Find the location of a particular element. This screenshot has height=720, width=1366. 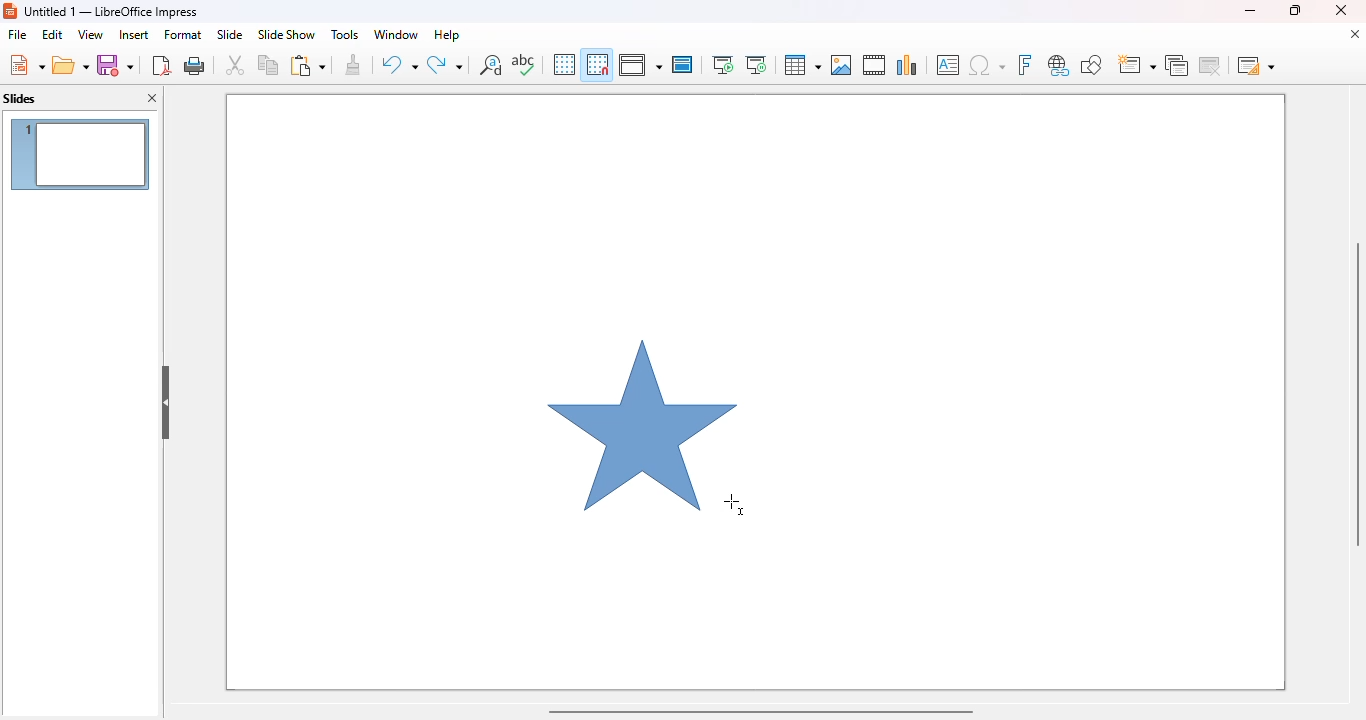

new slide is located at coordinates (1135, 65).